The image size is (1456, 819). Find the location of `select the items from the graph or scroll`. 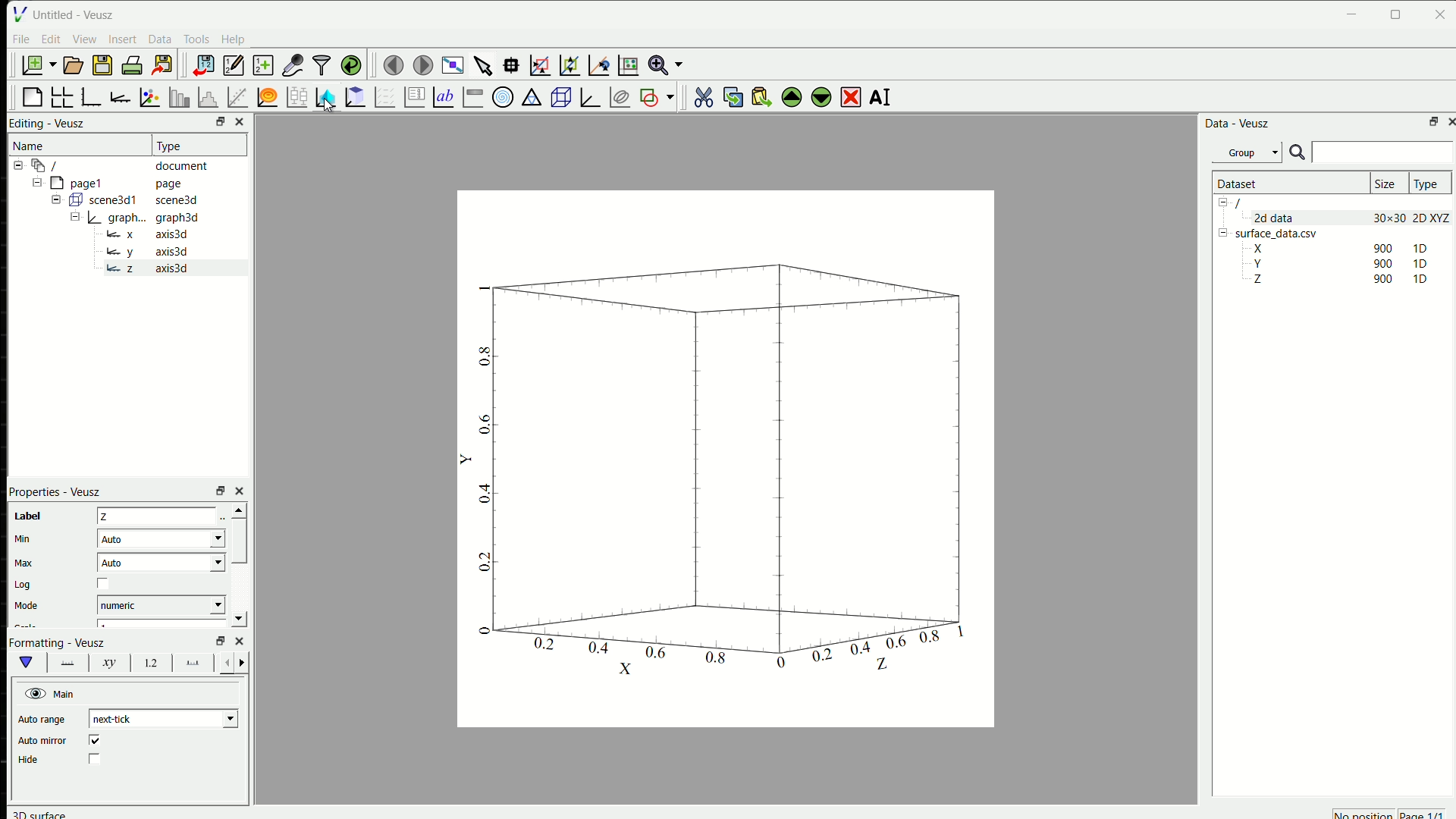

select the items from the graph or scroll is located at coordinates (485, 65).